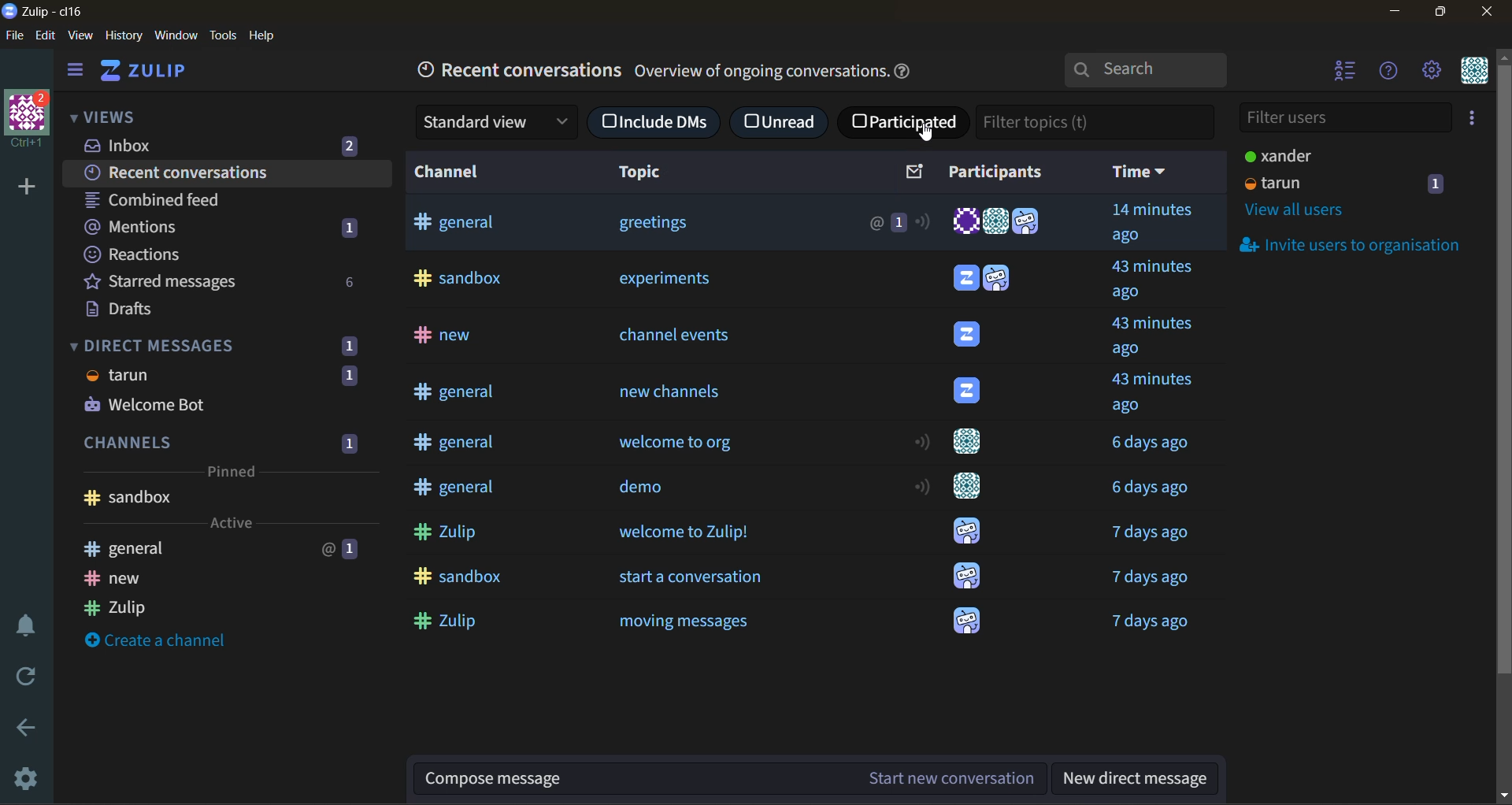 The width and height of the screenshot is (1512, 805). I want to click on new channels, so click(681, 391).